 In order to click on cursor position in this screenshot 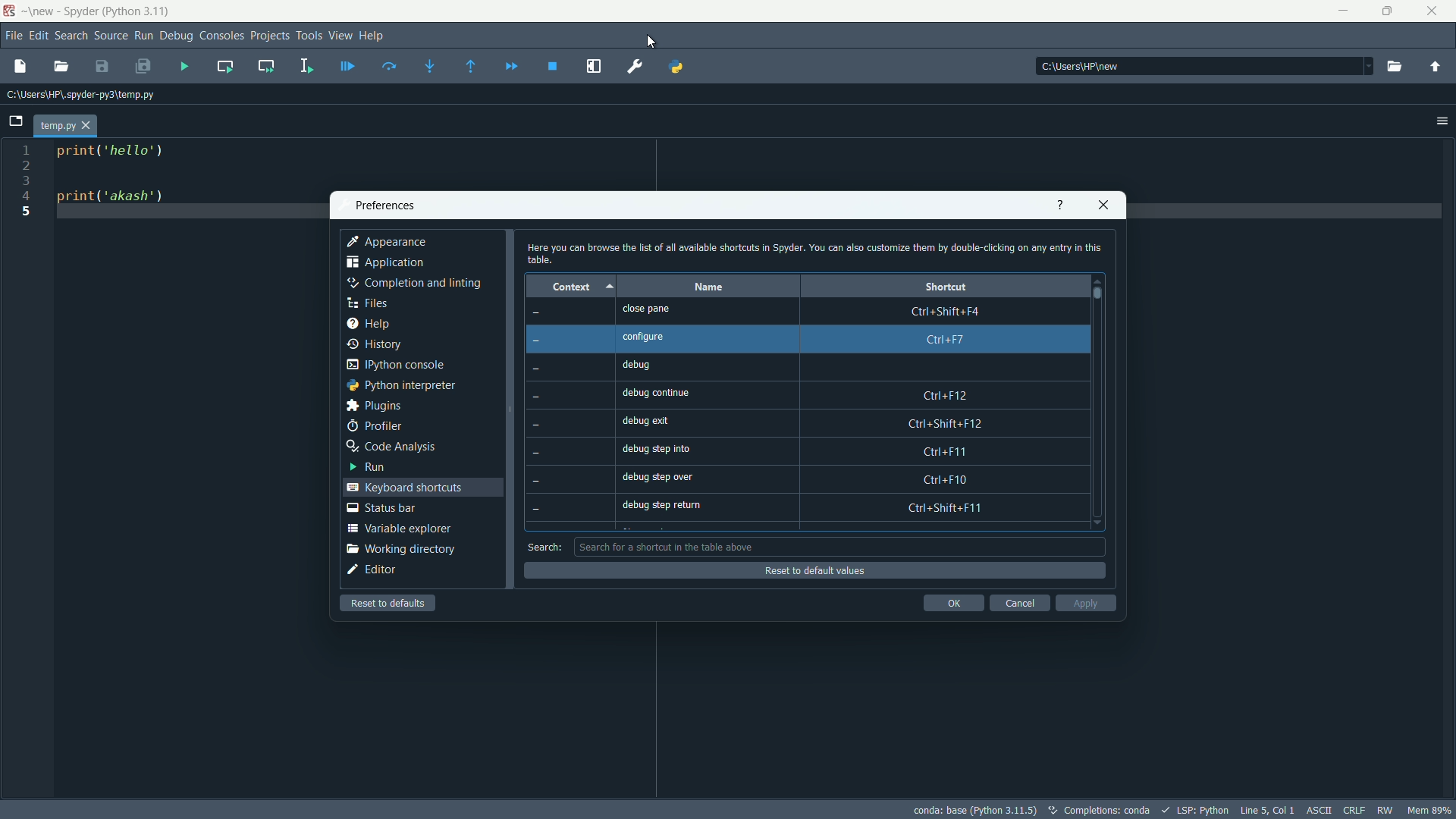, I will do `click(1266, 808)`.